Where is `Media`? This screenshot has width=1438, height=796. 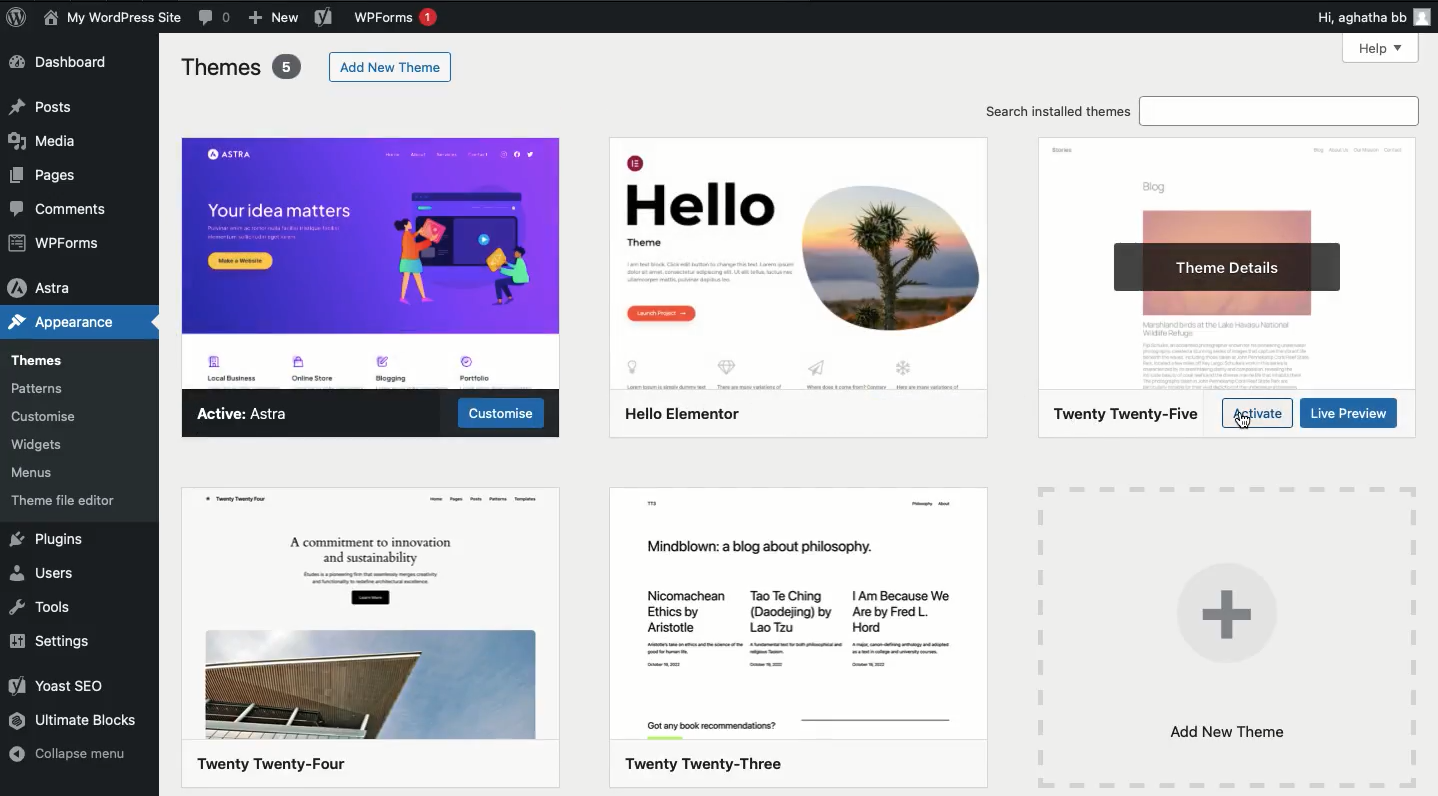
Media is located at coordinates (49, 140).